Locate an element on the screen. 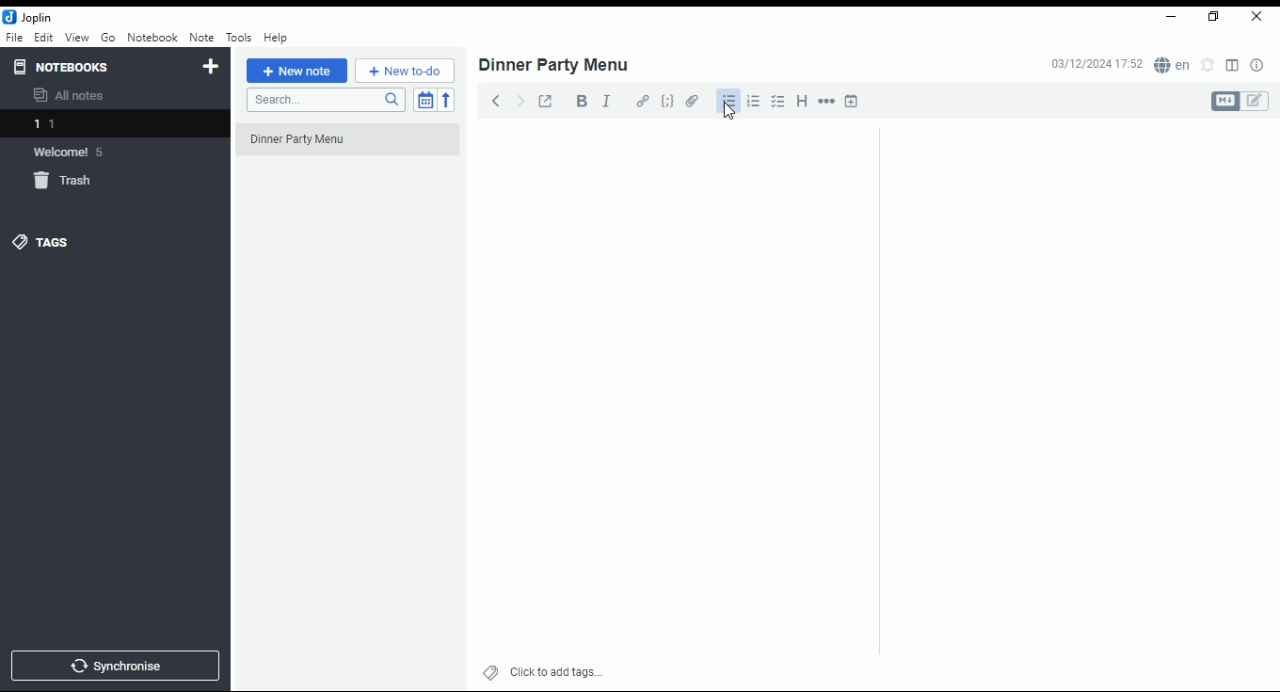 This screenshot has height=692, width=1280. search notes is located at coordinates (324, 101).